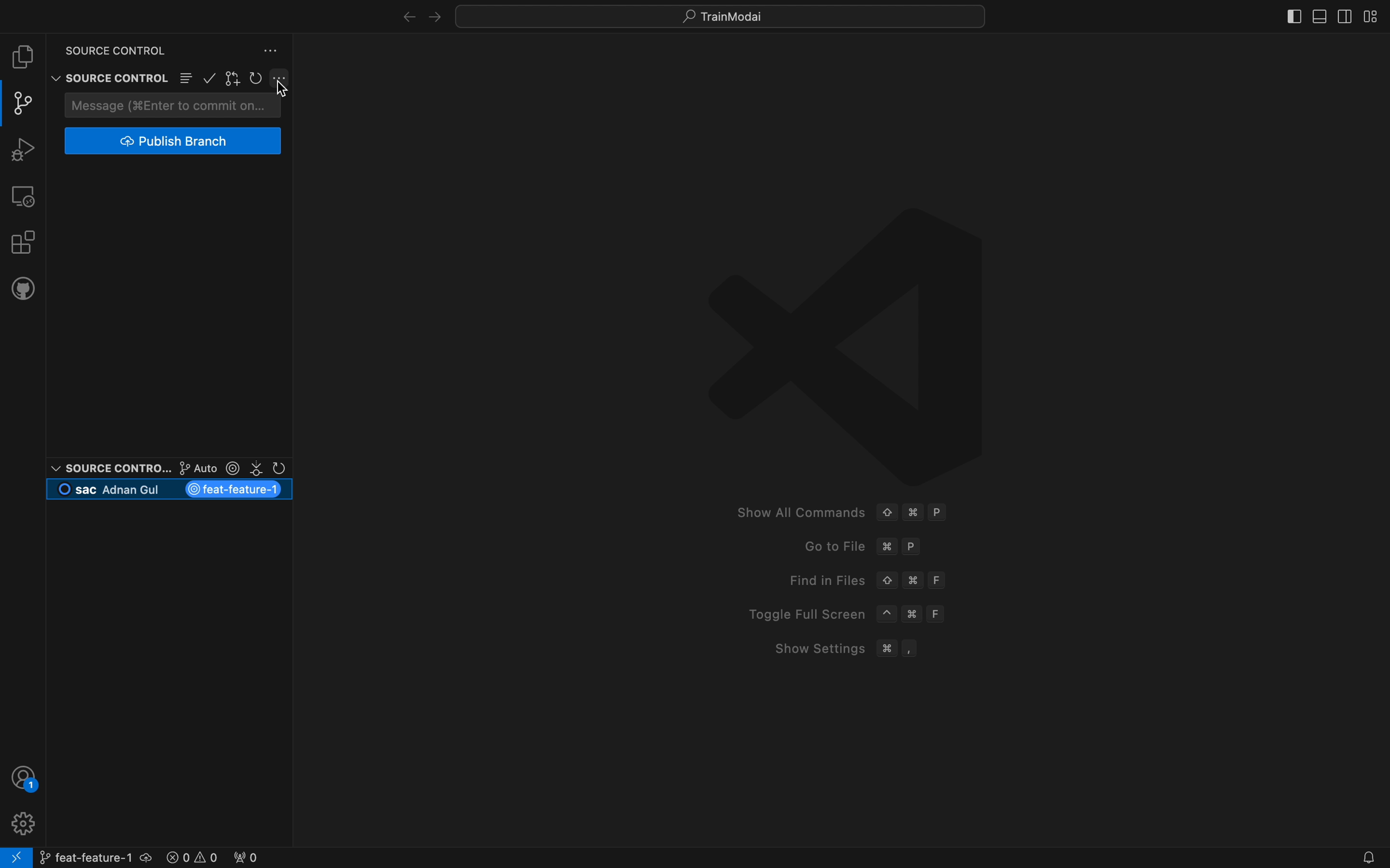 The image size is (1390, 868). What do you see at coordinates (887, 614) in the screenshot?
I see `^` at bounding box center [887, 614].